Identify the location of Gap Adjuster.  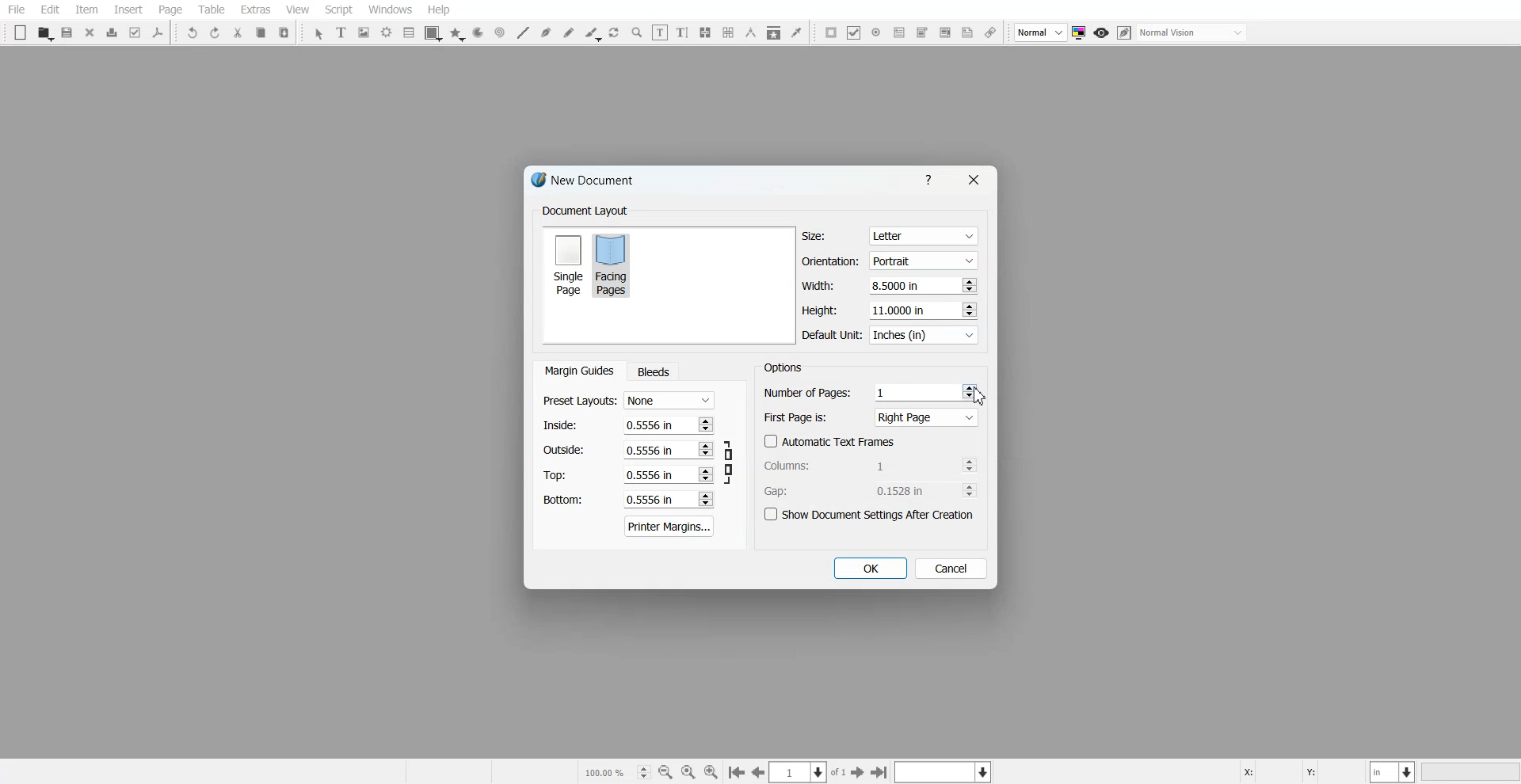
(871, 490).